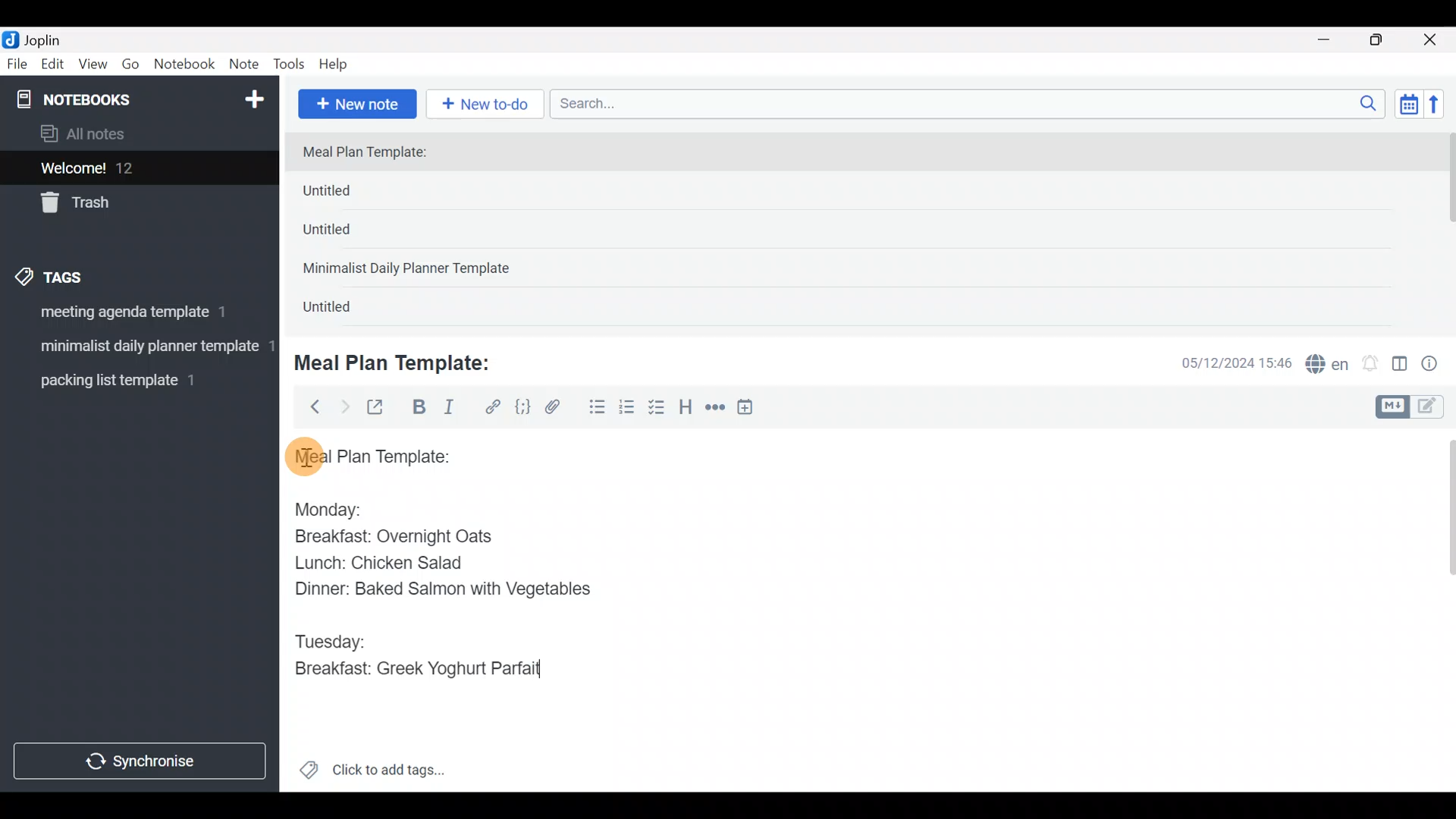 This screenshot has width=1456, height=819. Describe the element at coordinates (627, 410) in the screenshot. I see `Numbered list` at that location.